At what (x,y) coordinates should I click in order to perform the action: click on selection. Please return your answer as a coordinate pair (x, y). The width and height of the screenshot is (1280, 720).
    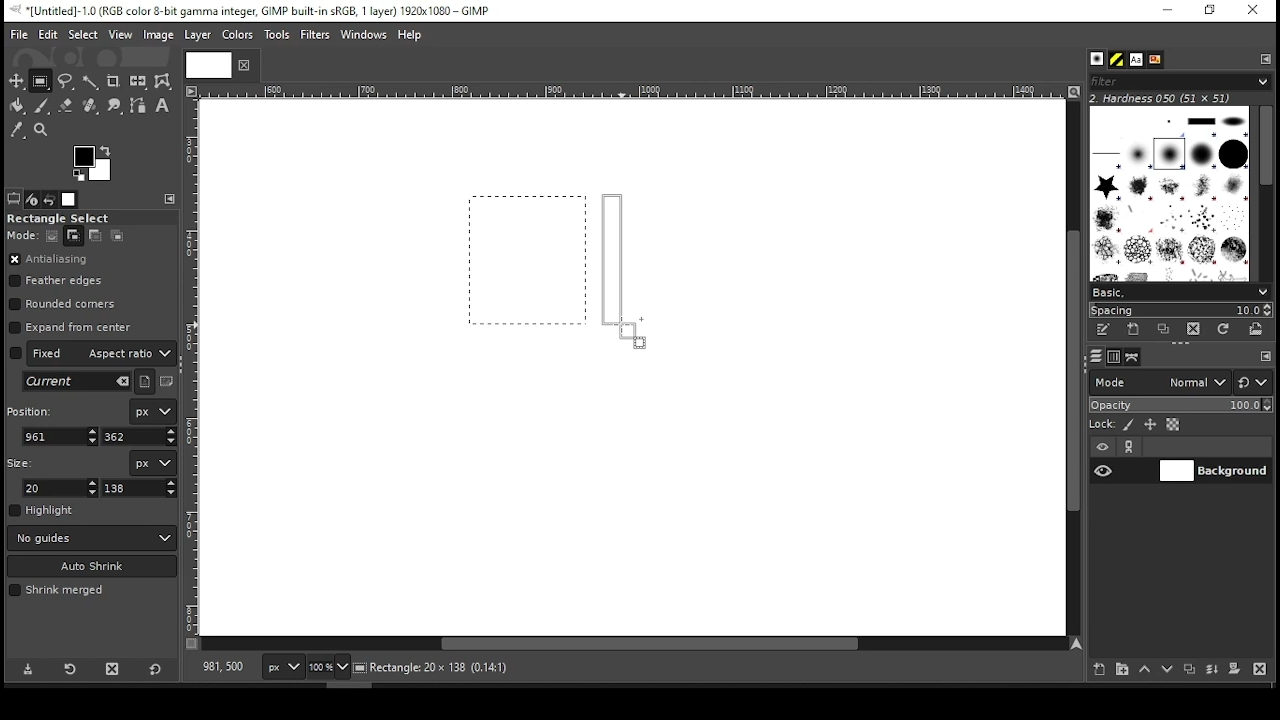
    Looking at the image, I should click on (528, 260).